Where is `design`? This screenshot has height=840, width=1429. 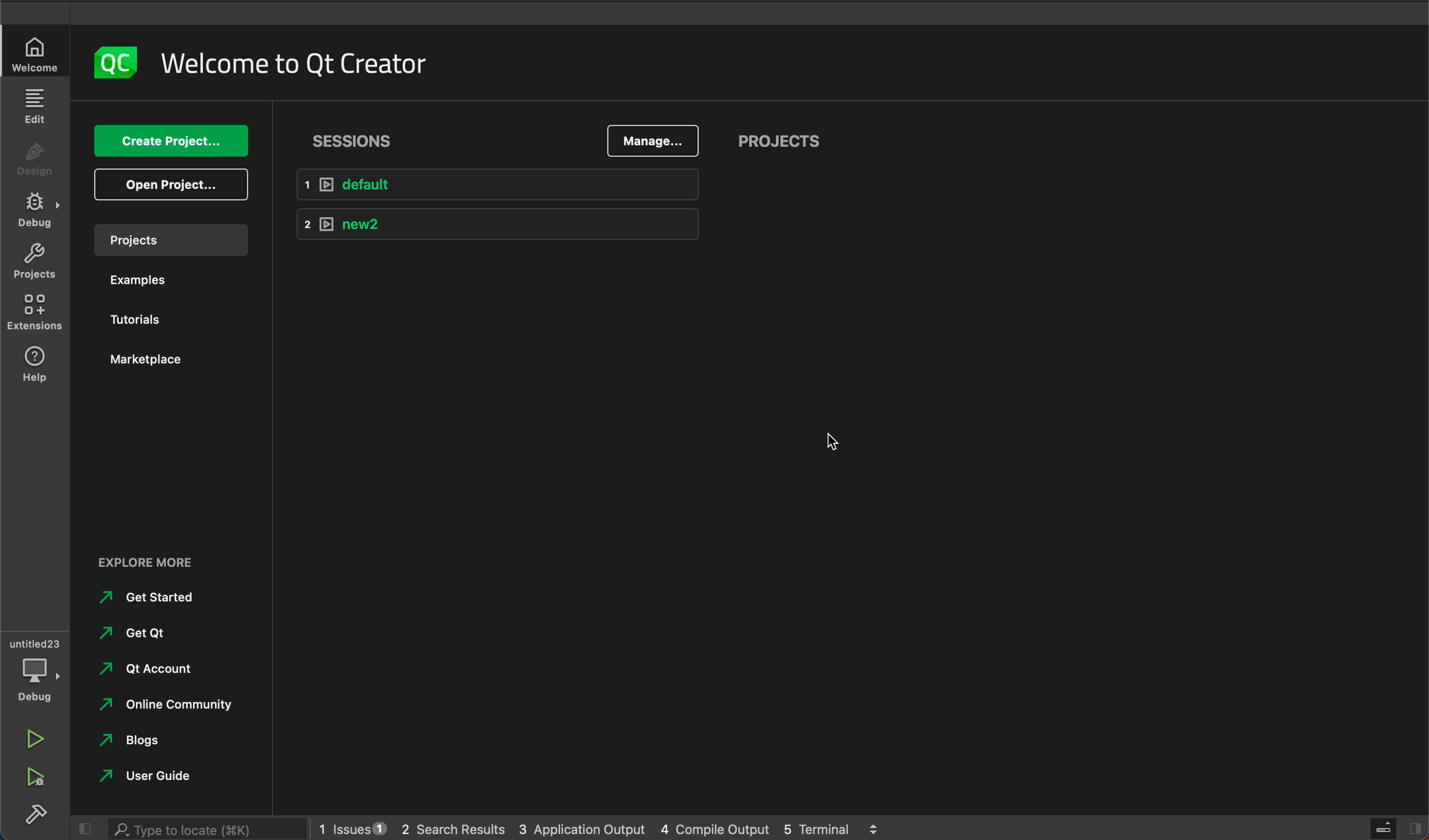
design is located at coordinates (35, 163).